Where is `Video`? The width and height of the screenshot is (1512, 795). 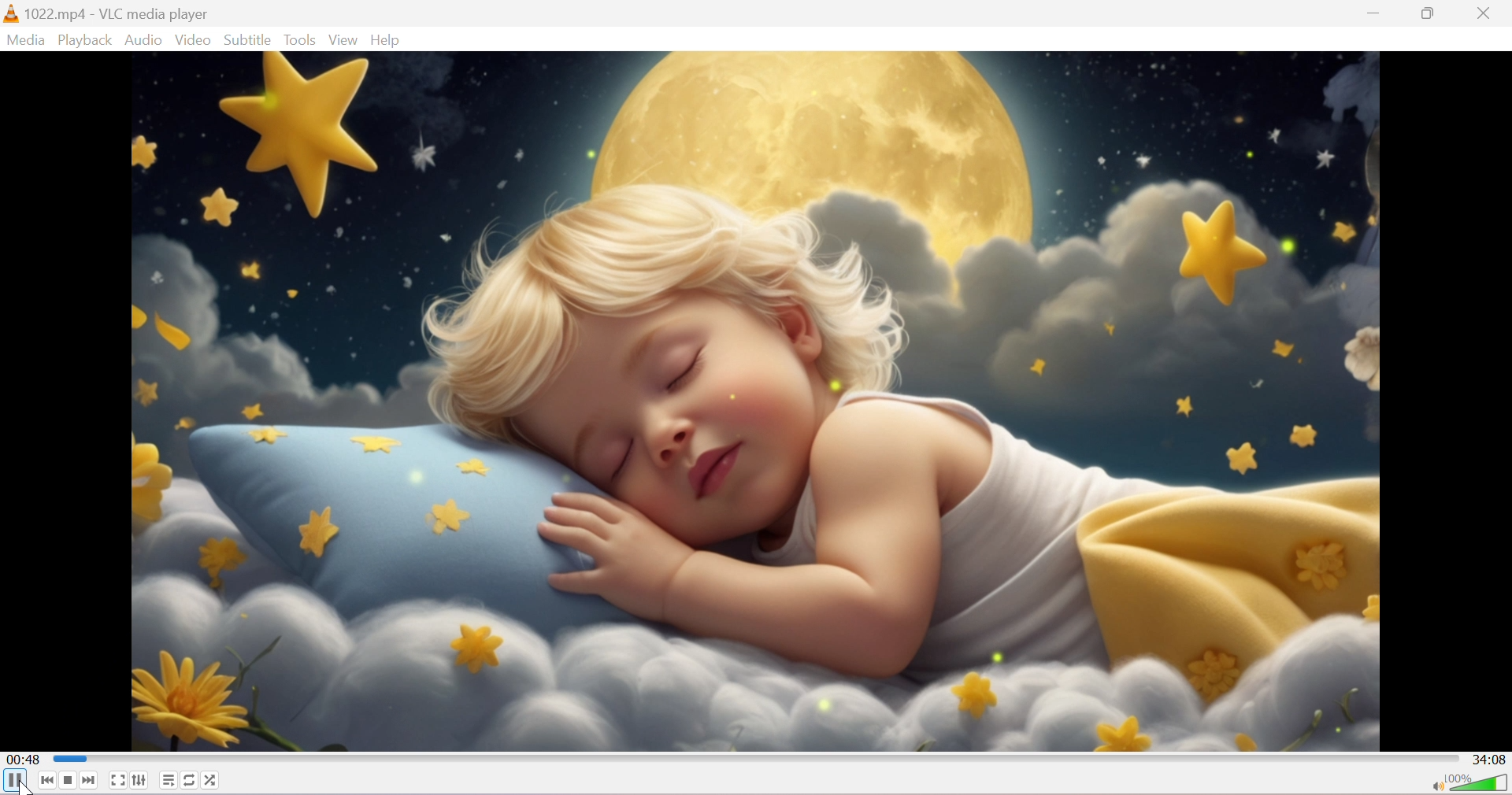
Video is located at coordinates (193, 40).